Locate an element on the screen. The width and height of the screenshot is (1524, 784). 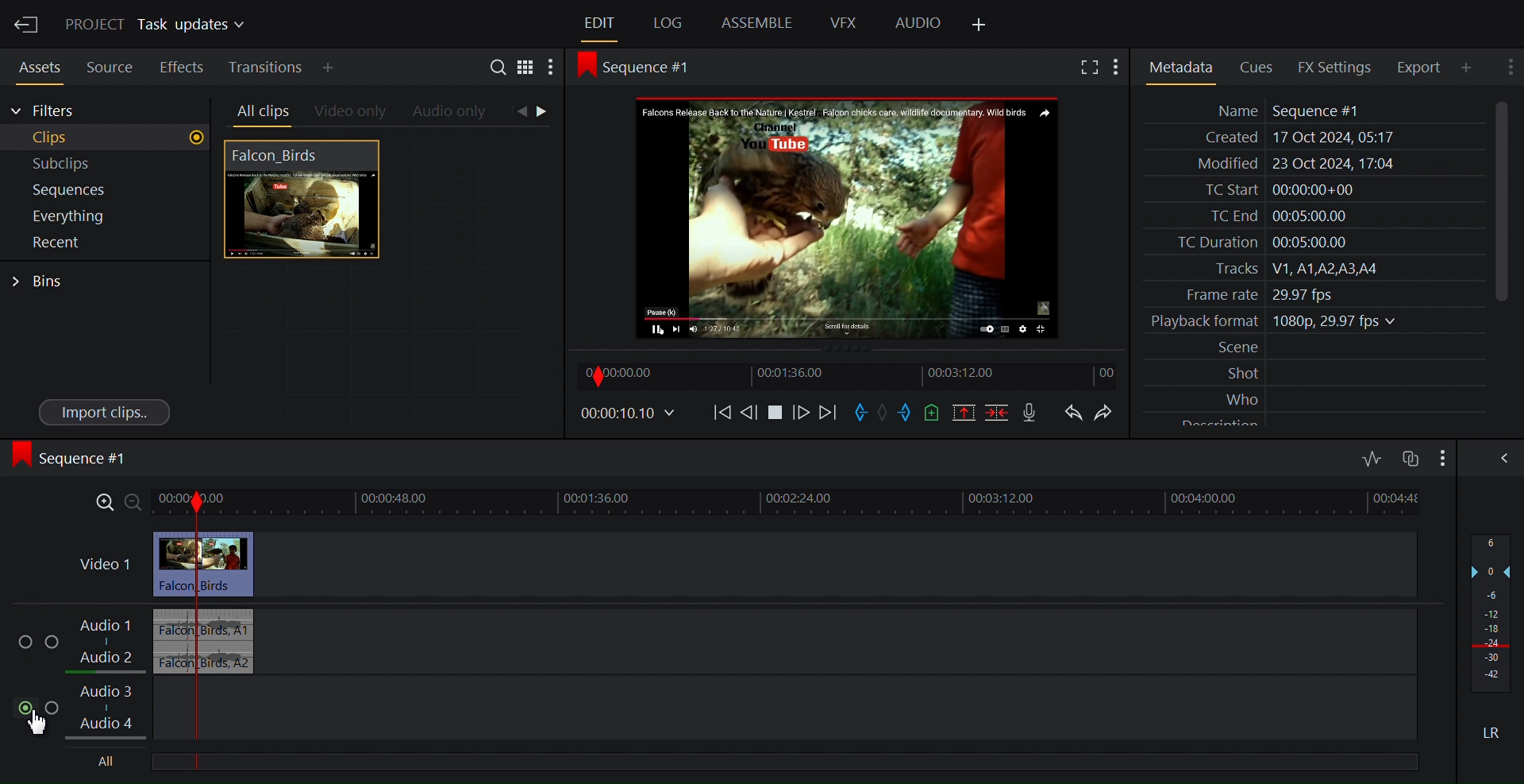
Toggle between list and tile view is located at coordinates (525, 70).